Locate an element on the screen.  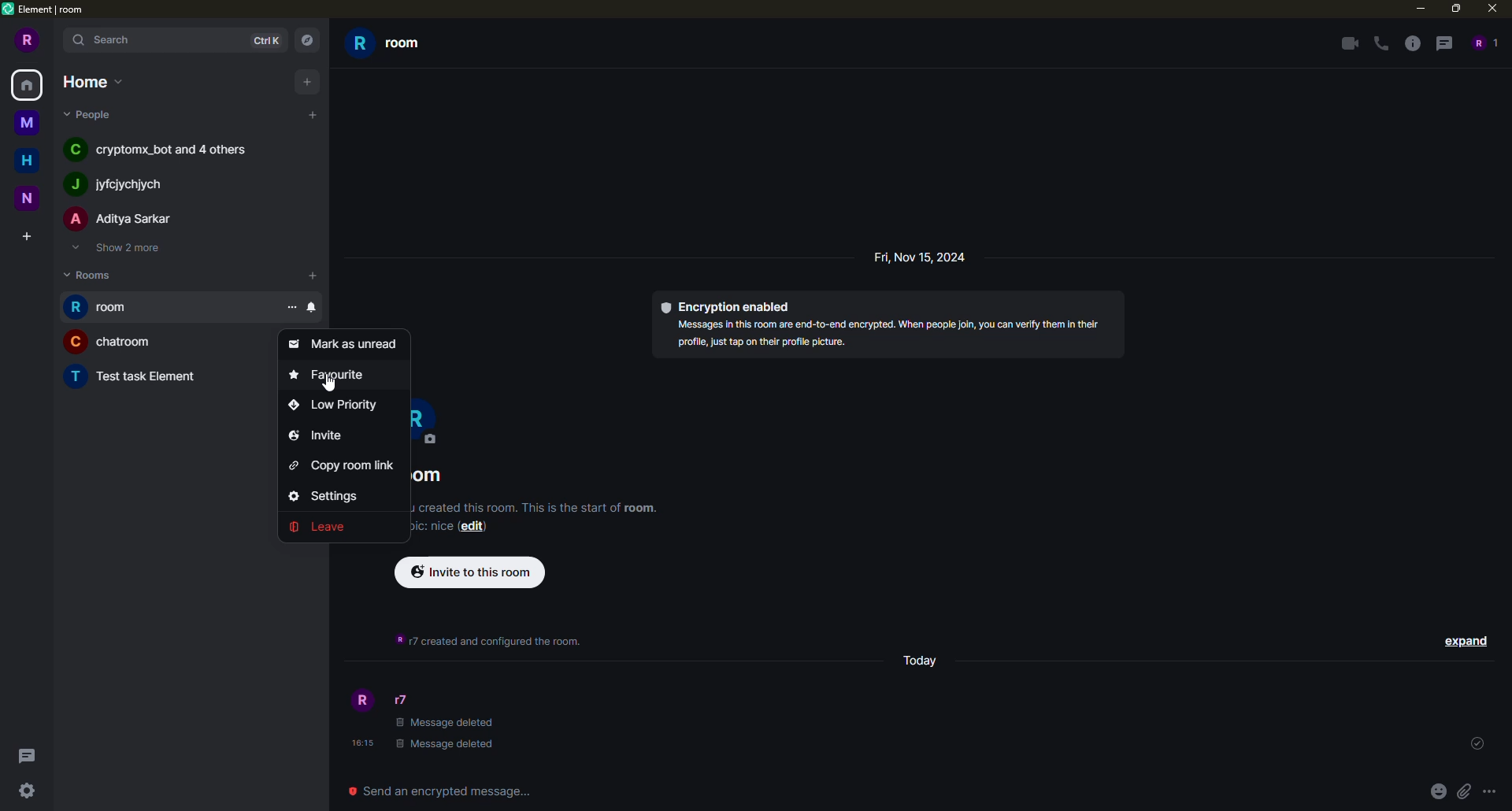
profile is located at coordinates (361, 700).